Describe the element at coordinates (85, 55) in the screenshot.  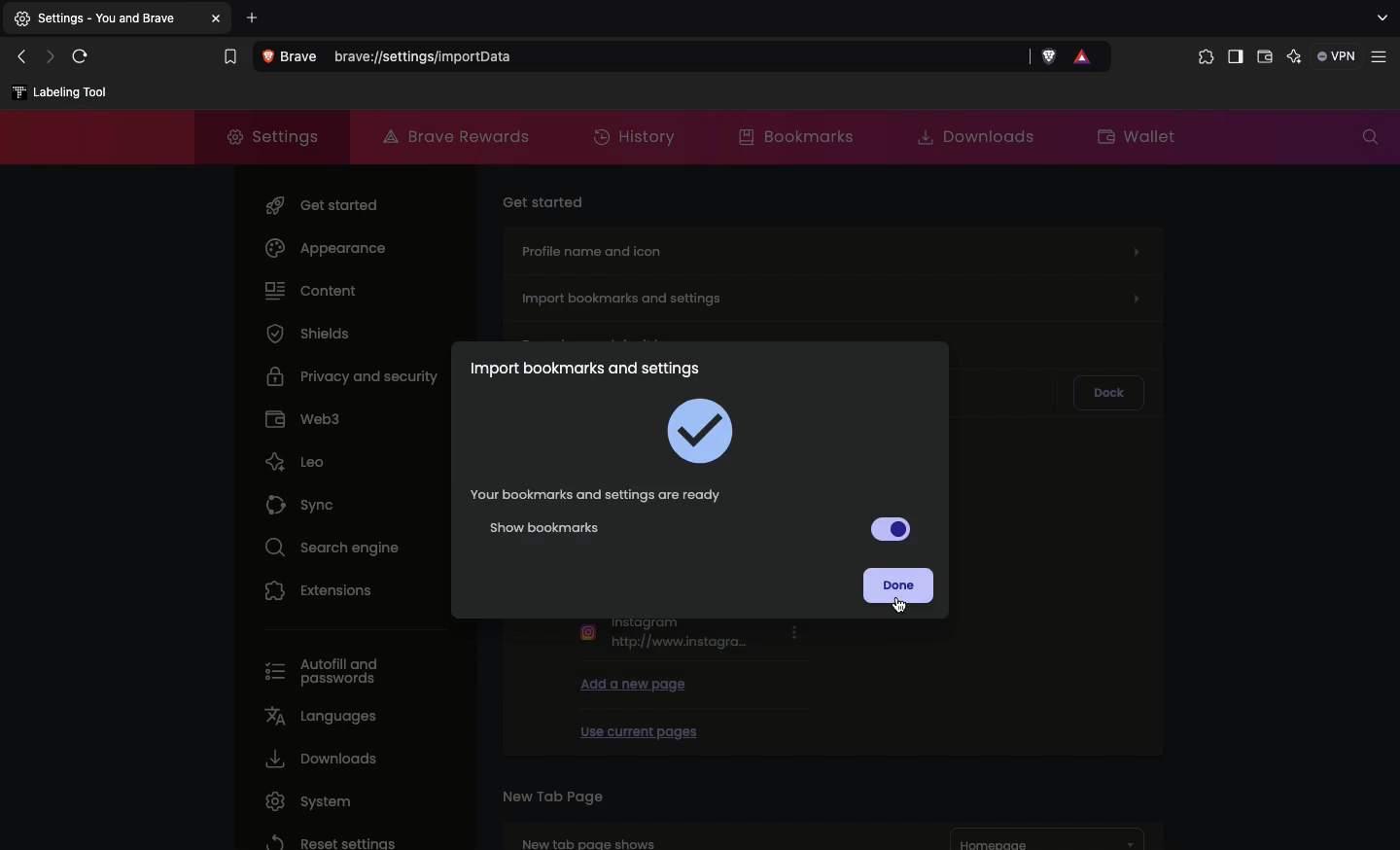
I see `Reload this page` at that location.